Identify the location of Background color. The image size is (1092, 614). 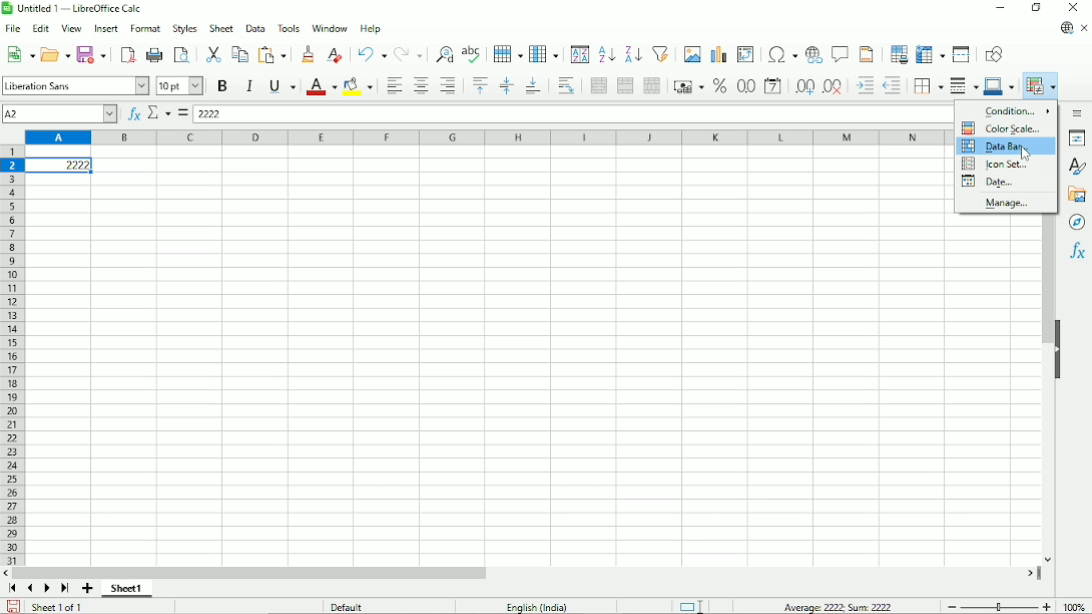
(357, 86).